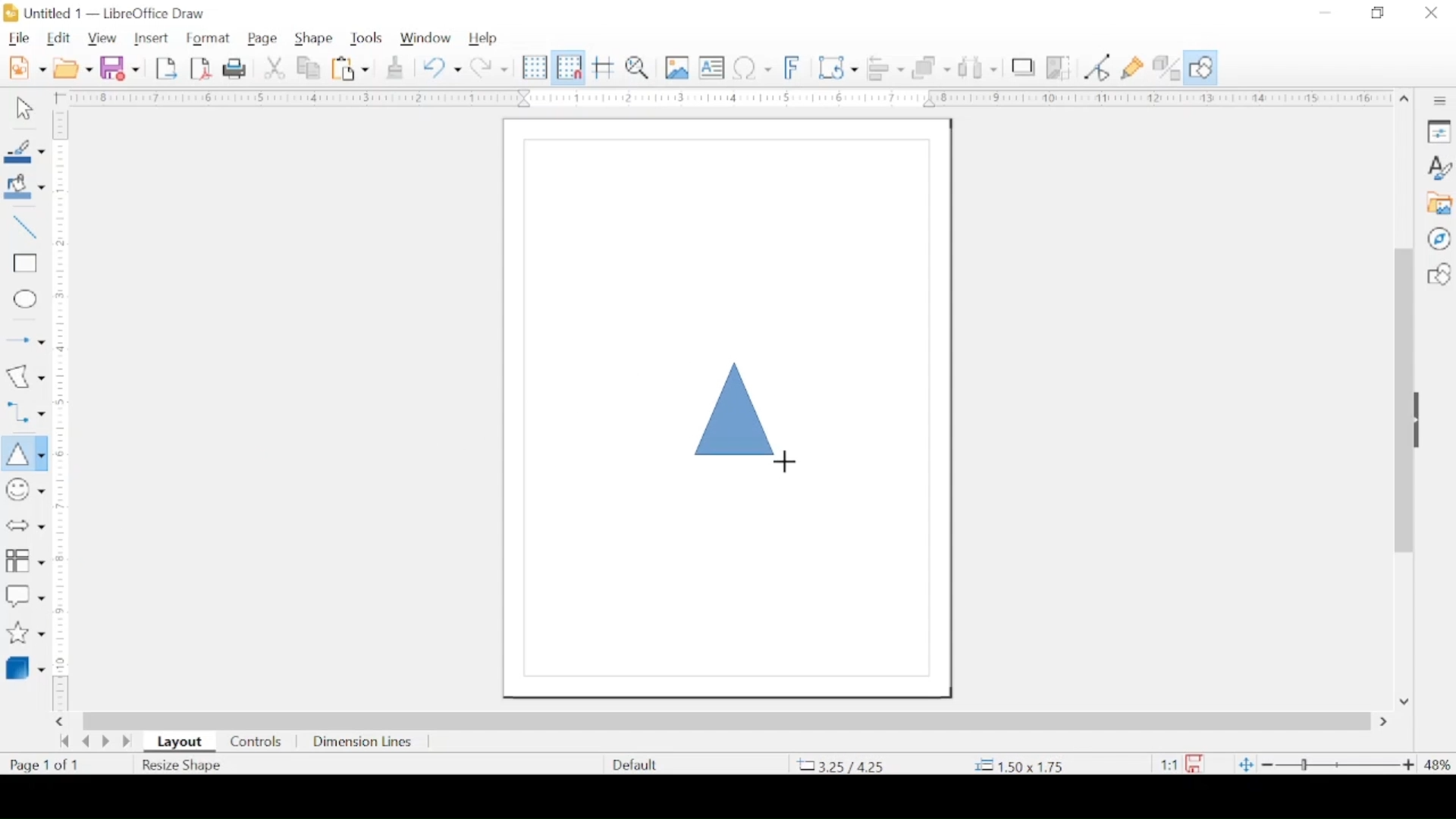 The image size is (1456, 819). I want to click on previous page, so click(86, 742).